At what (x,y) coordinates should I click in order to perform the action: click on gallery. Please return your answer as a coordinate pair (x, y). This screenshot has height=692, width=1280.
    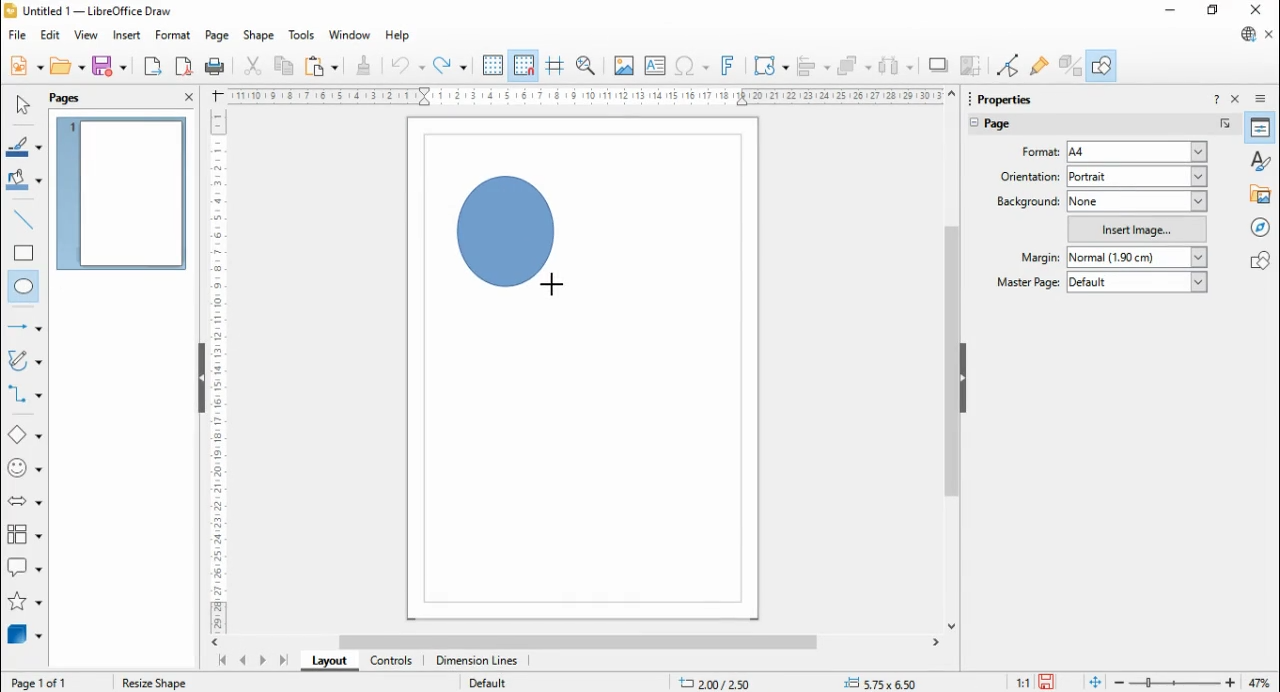
    Looking at the image, I should click on (1262, 193).